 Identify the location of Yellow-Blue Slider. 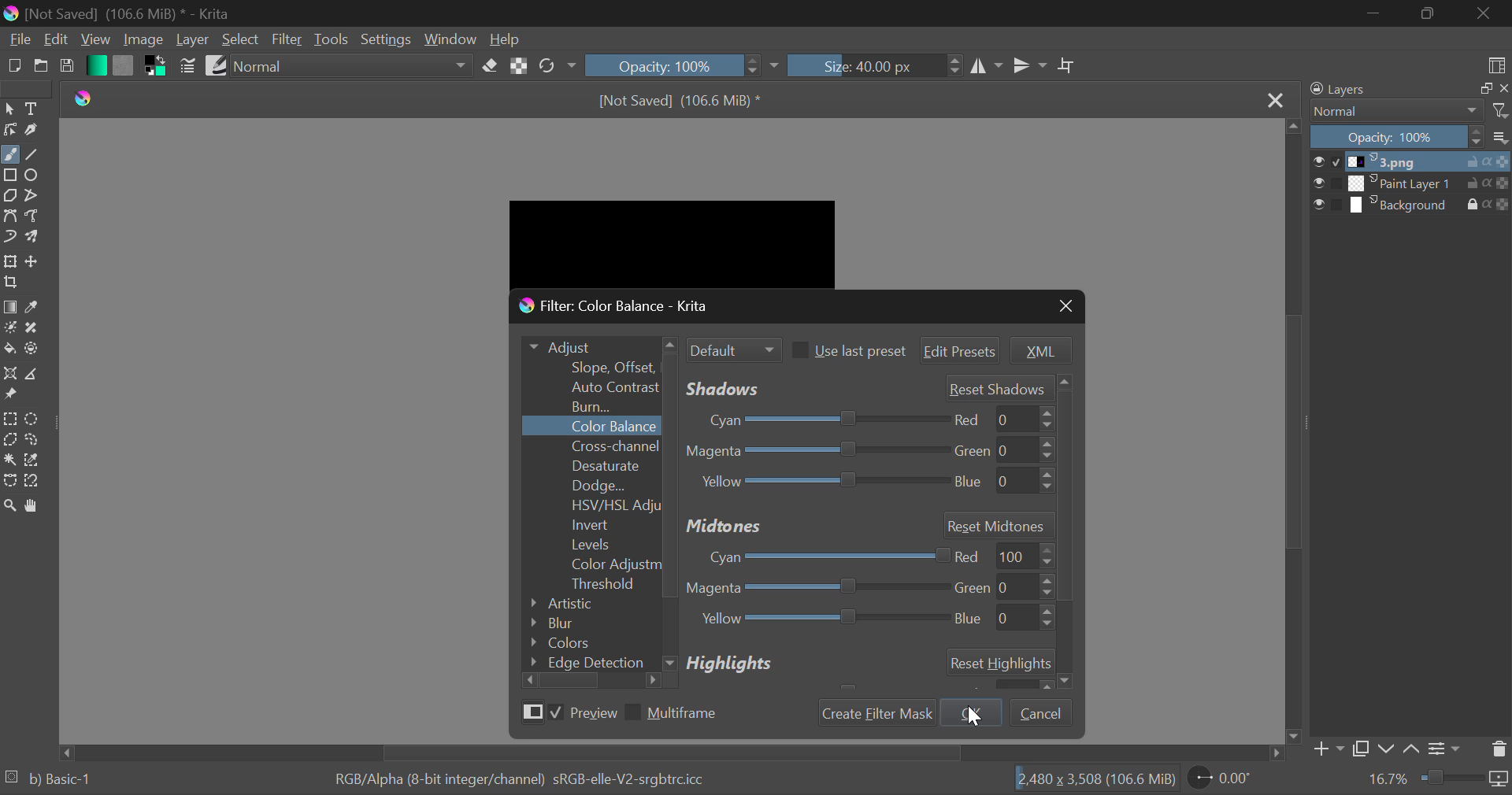
(817, 483).